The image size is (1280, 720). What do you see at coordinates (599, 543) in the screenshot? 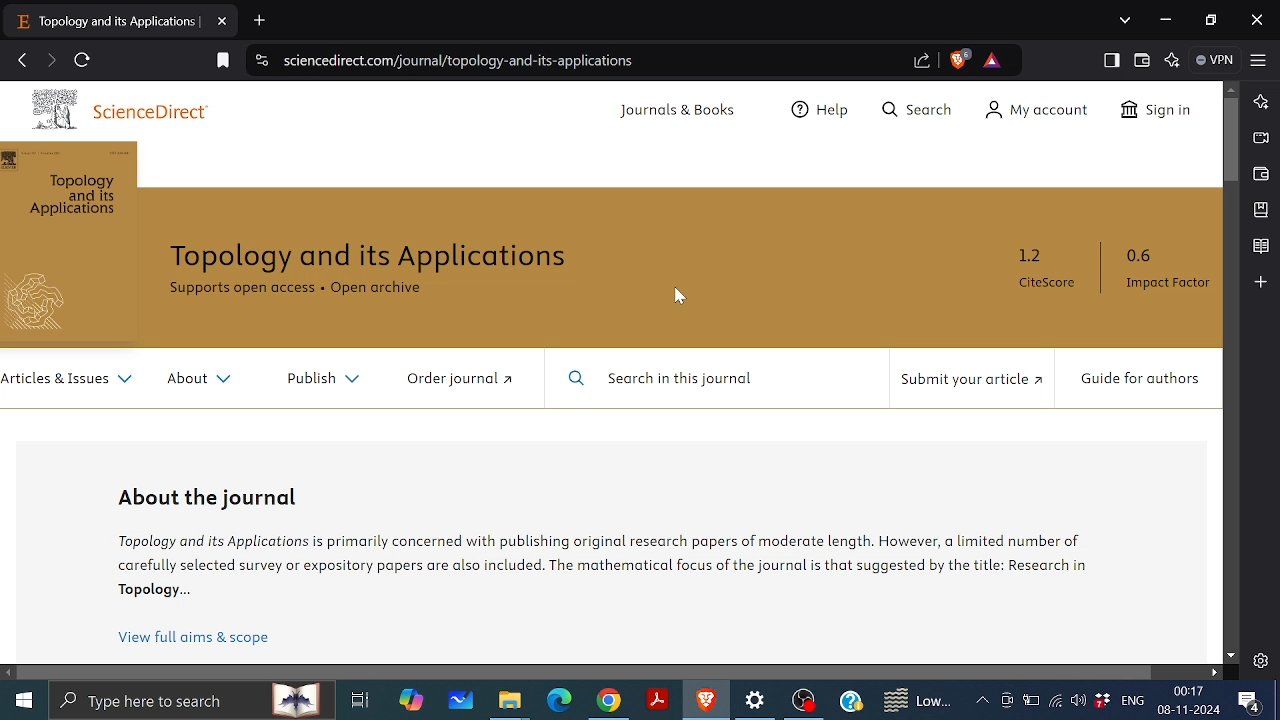
I see `About the journal

Topology and its Applications is primarily concerned with publishing original research papers of moderate length. However, a limited number of
carefully selected survey or expository papers are also included. The mathematical focus of the journal is that suggested by the title: Research in
Topology...` at bounding box center [599, 543].